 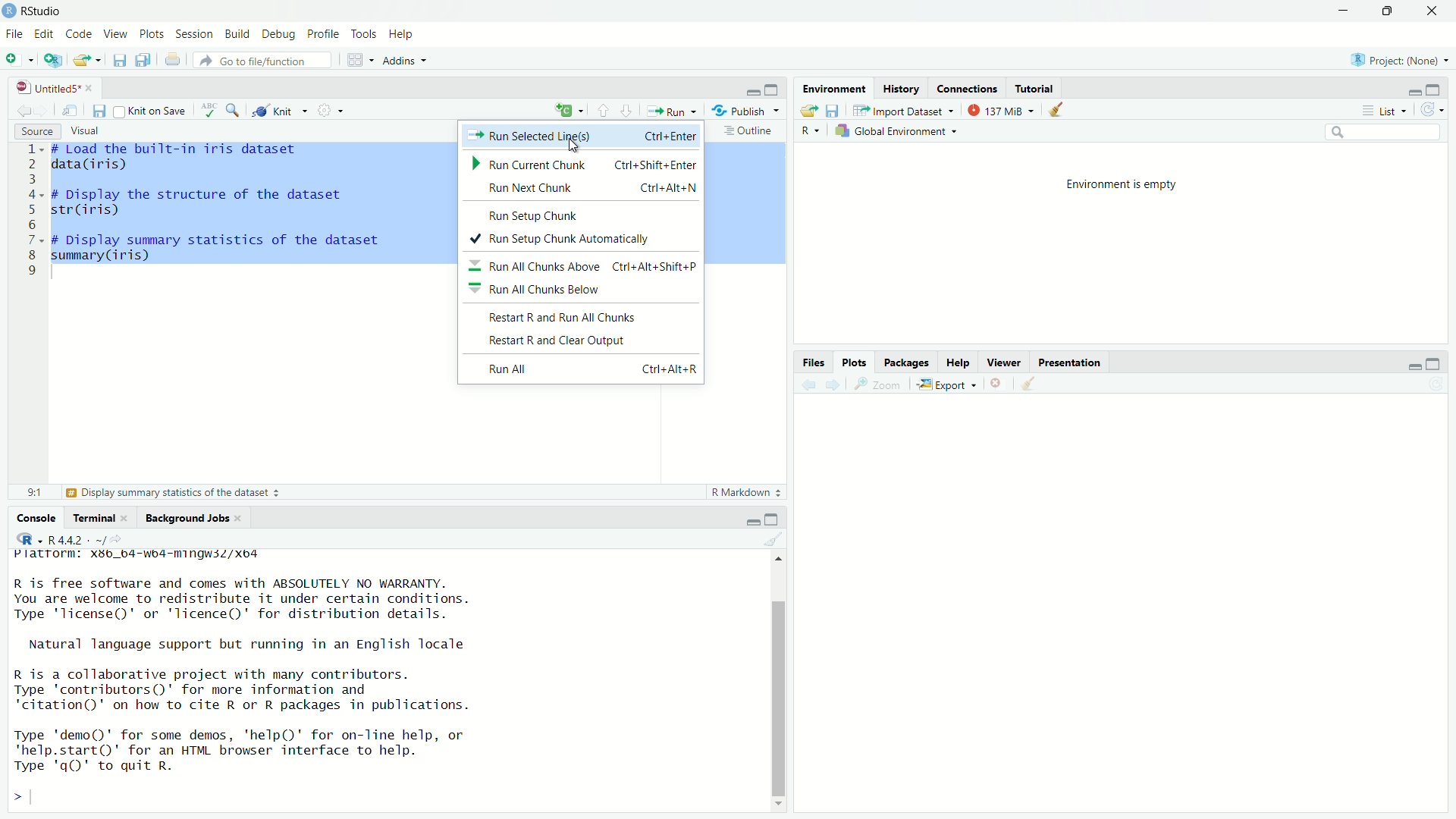 What do you see at coordinates (45, 34) in the screenshot?
I see `Edit` at bounding box center [45, 34].